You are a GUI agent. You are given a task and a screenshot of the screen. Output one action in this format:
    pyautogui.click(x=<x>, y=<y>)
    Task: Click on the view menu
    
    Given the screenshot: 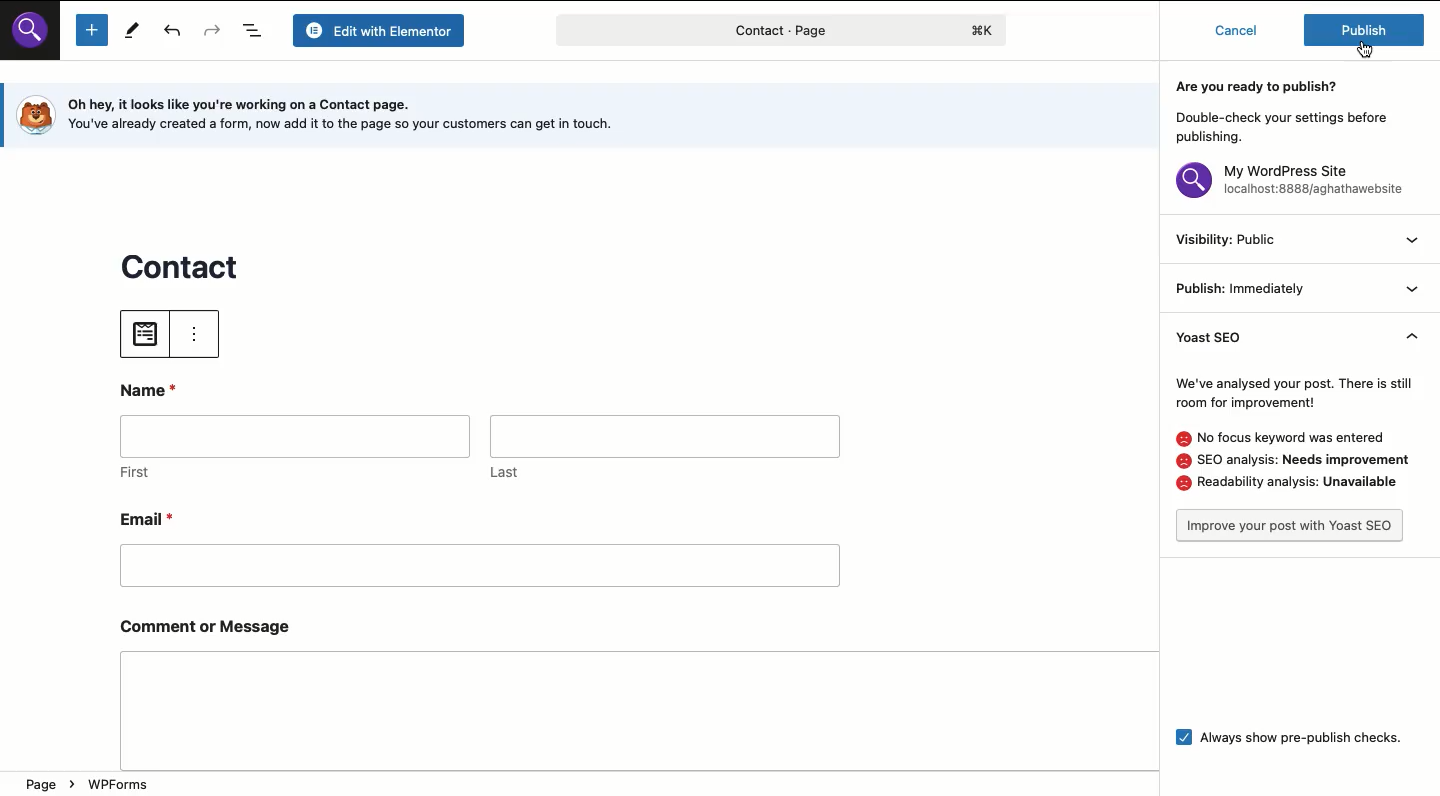 What is the action you would take?
    pyautogui.click(x=1411, y=261)
    